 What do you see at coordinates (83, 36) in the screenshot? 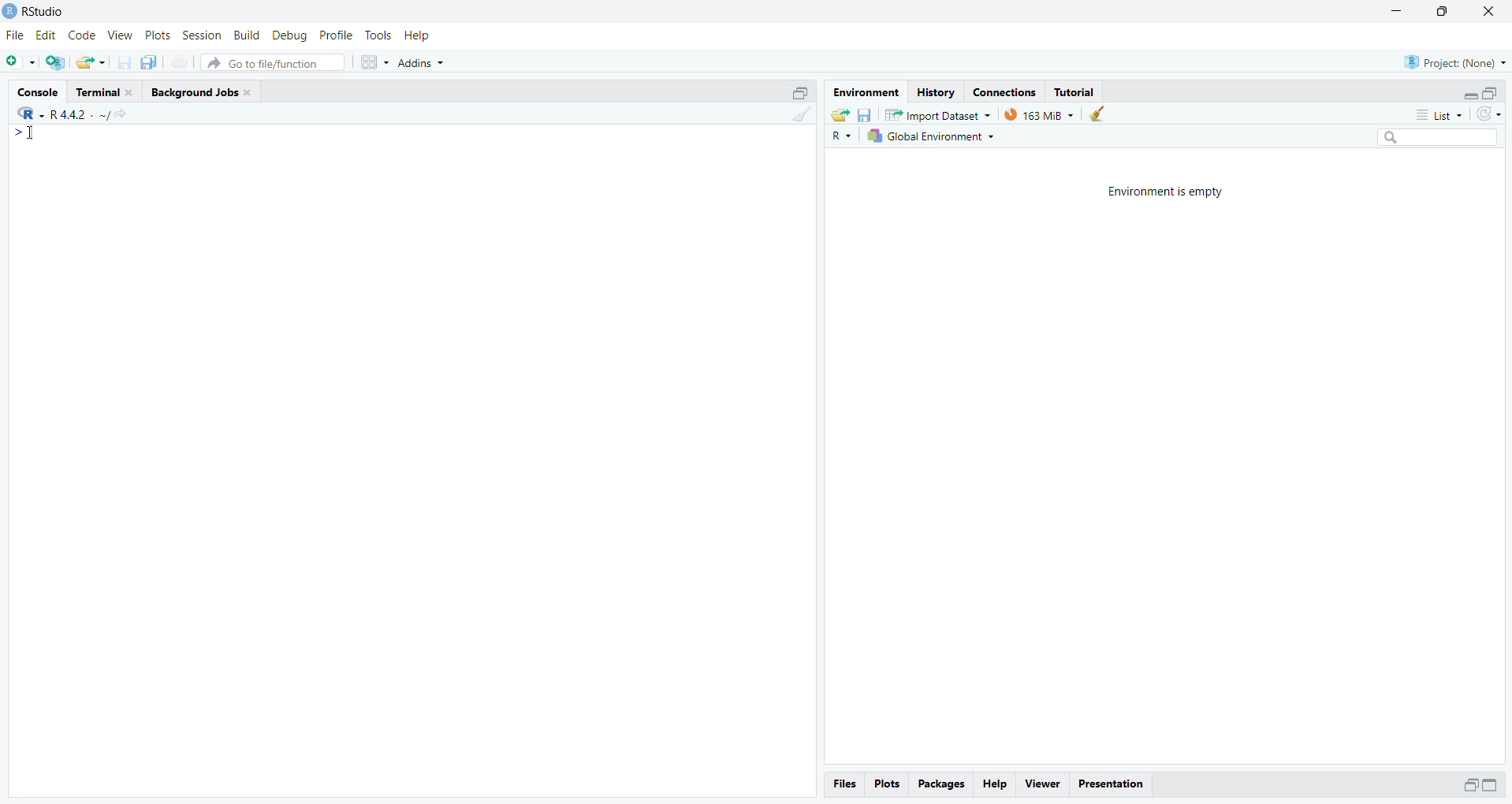
I see `code` at bounding box center [83, 36].